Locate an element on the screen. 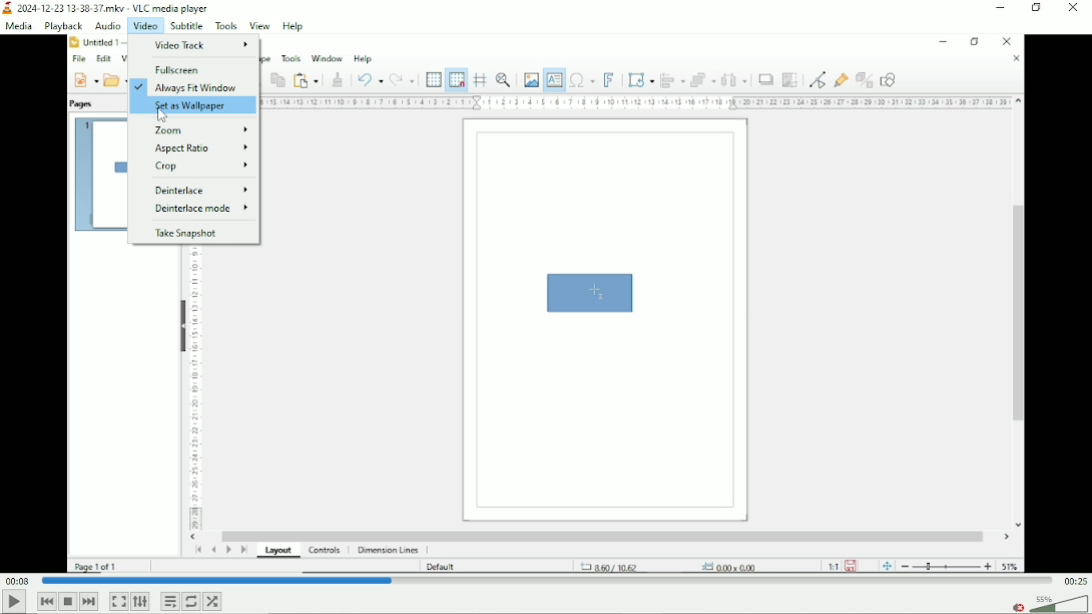 This screenshot has width=1092, height=614. Restore down is located at coordinates (1036, 8).